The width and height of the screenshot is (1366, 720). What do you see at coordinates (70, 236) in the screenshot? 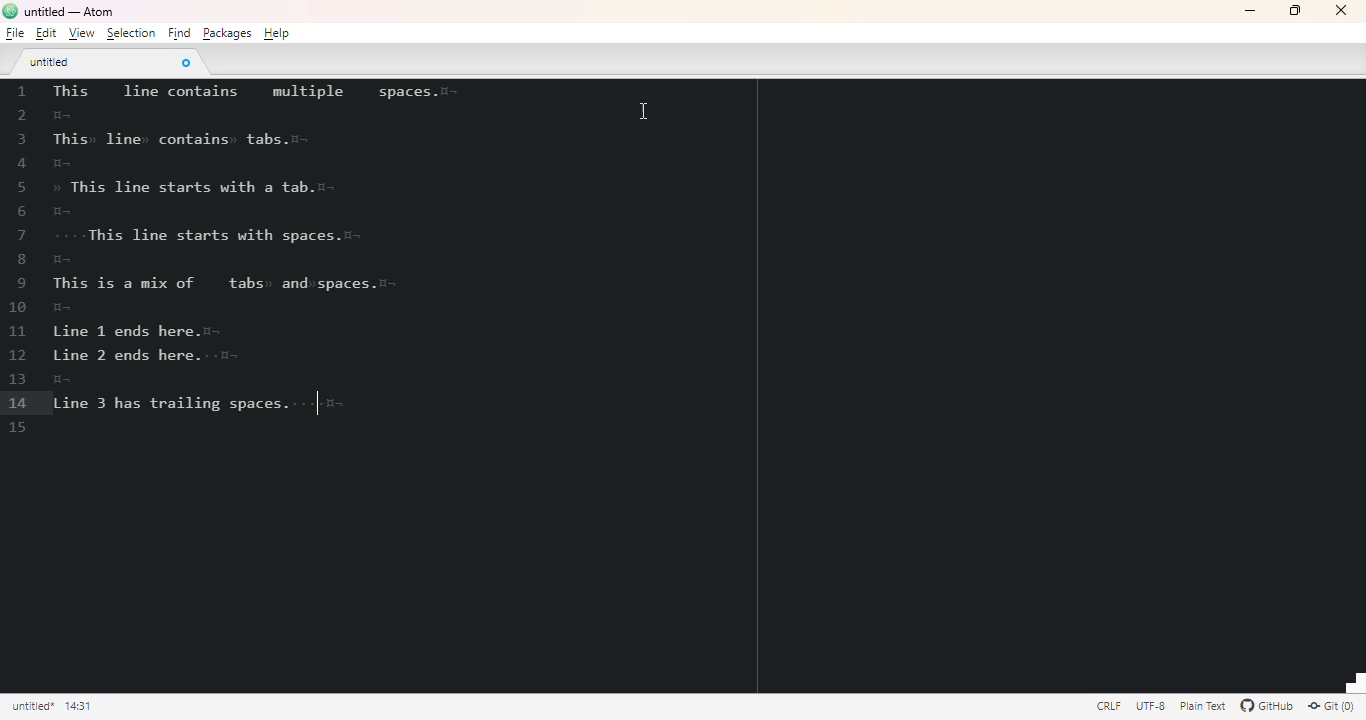
I see `invisible character` at bounding box center [70, 236].